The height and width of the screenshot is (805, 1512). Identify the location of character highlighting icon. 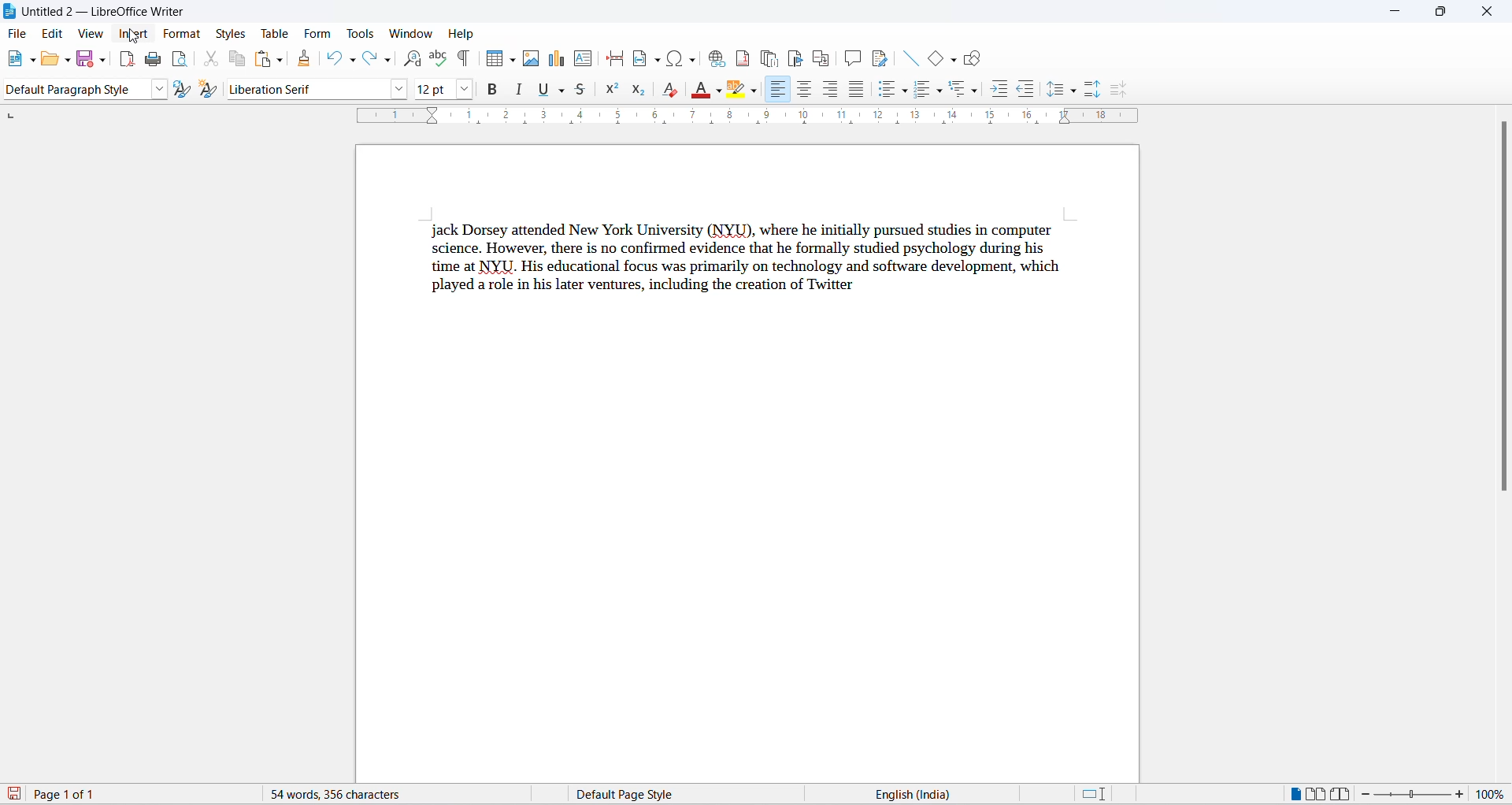
(736, 90).